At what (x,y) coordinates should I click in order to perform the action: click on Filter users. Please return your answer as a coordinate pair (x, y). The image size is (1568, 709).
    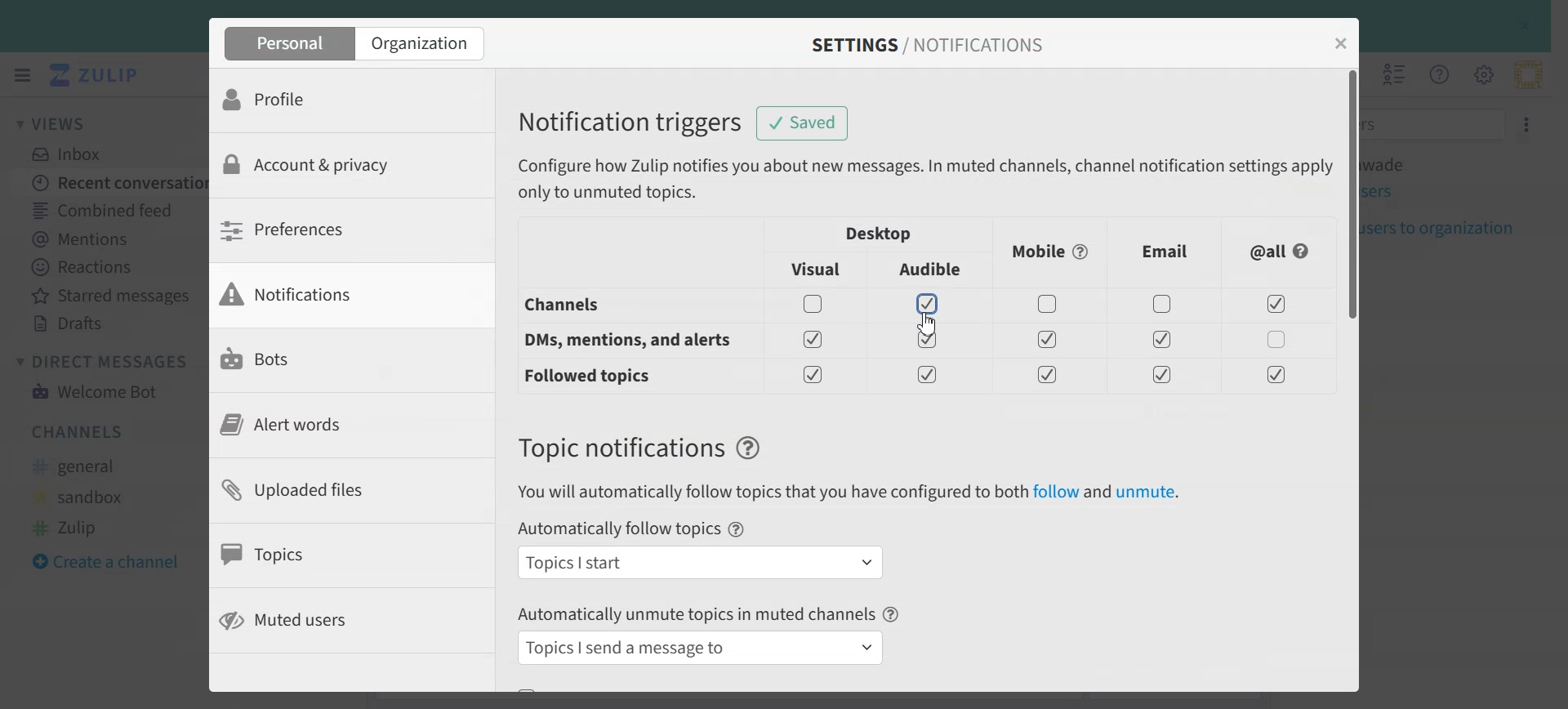
    Looking at the image, I should click on (1437, 123).